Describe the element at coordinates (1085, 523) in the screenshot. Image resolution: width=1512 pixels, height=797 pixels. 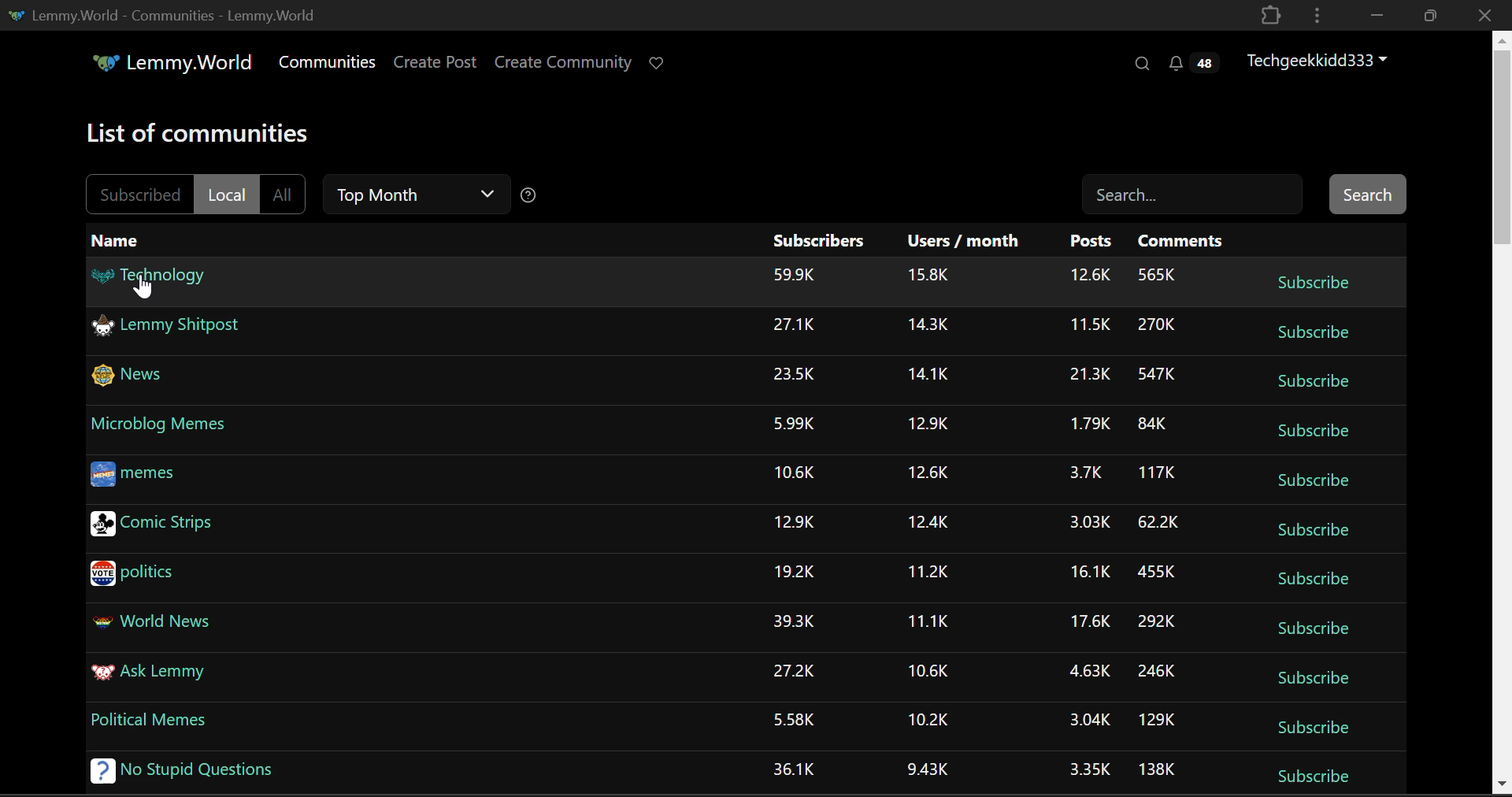
I see `Amount` at that location.